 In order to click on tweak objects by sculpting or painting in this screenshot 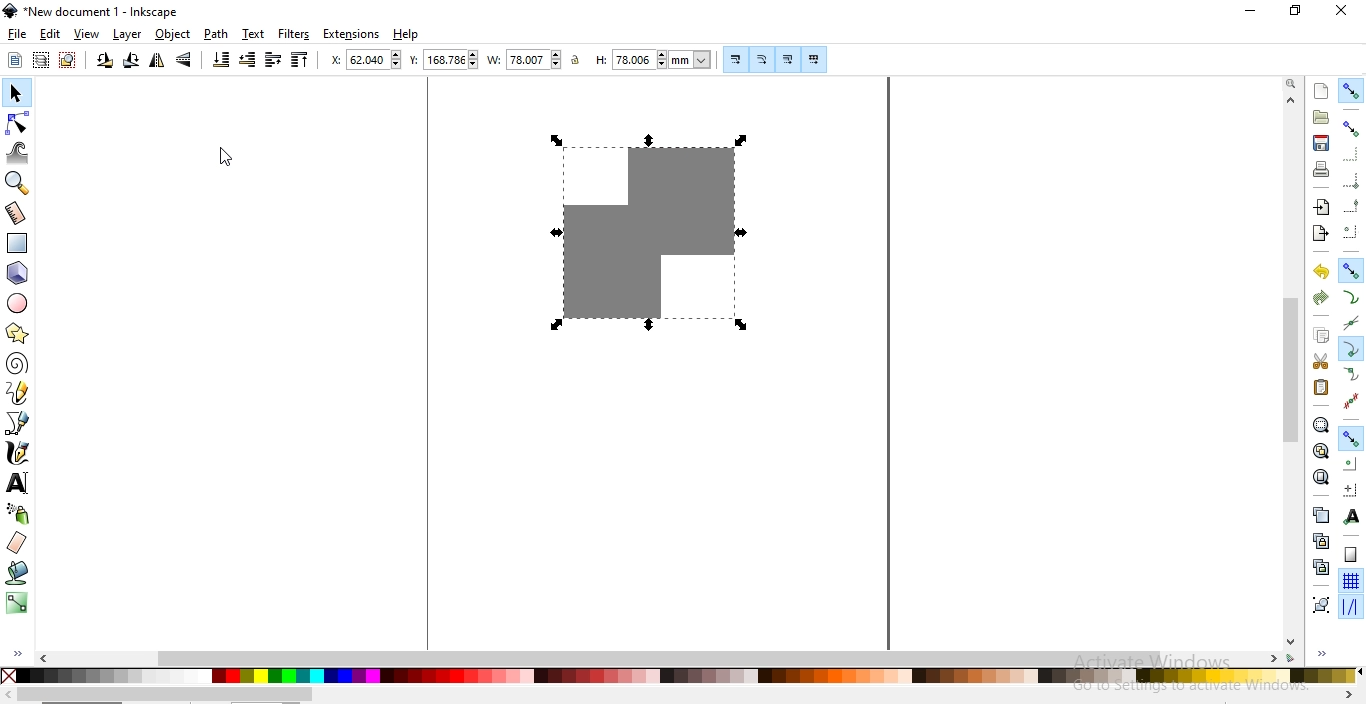, I will do `click(20, 153)`.